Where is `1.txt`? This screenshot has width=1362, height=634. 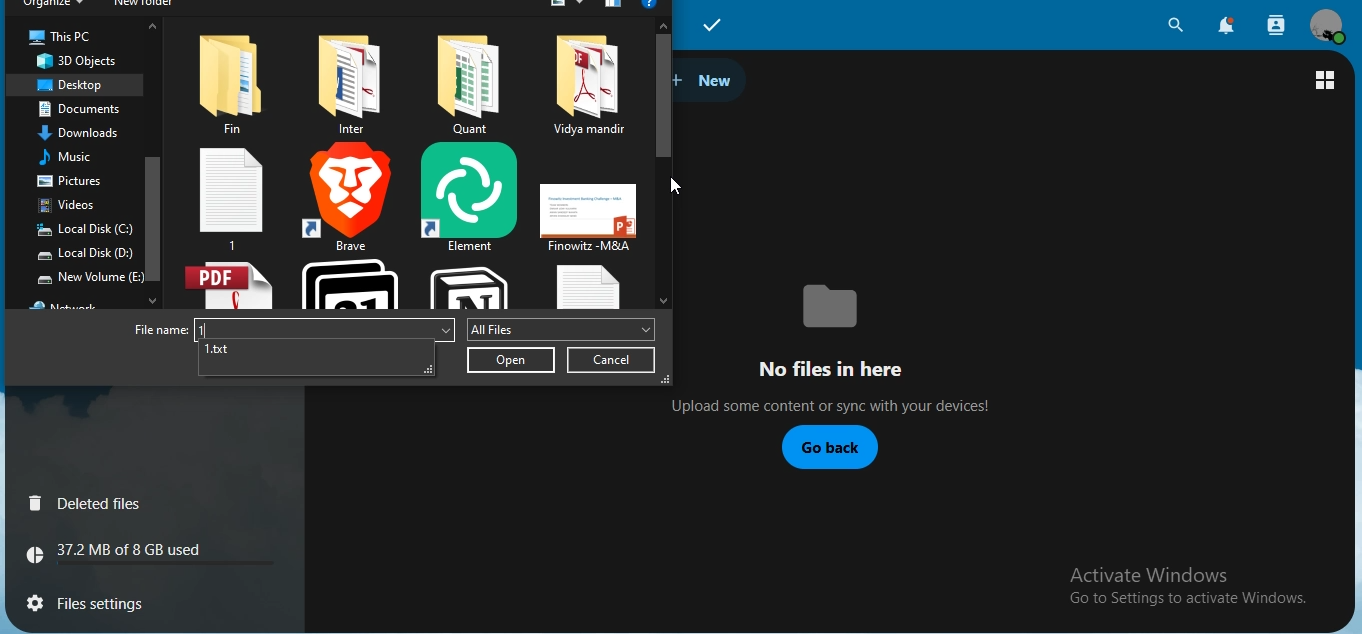
1.txt is located at coordinates (221, 335).